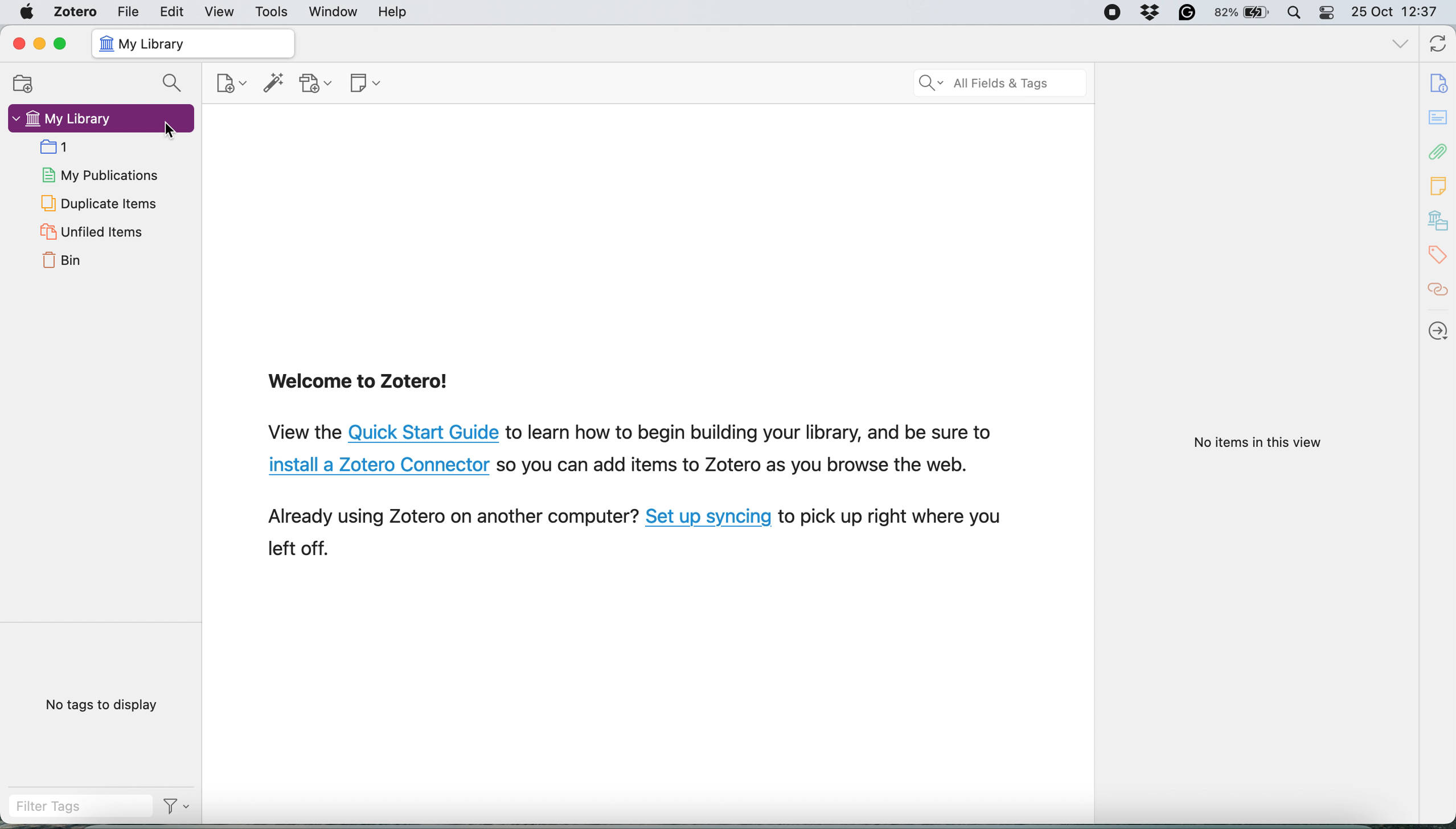 This screenshot has height=829, width=1456. Describe the element at coordinates (1441, 84) in the screenshot. I see `info` at that location.